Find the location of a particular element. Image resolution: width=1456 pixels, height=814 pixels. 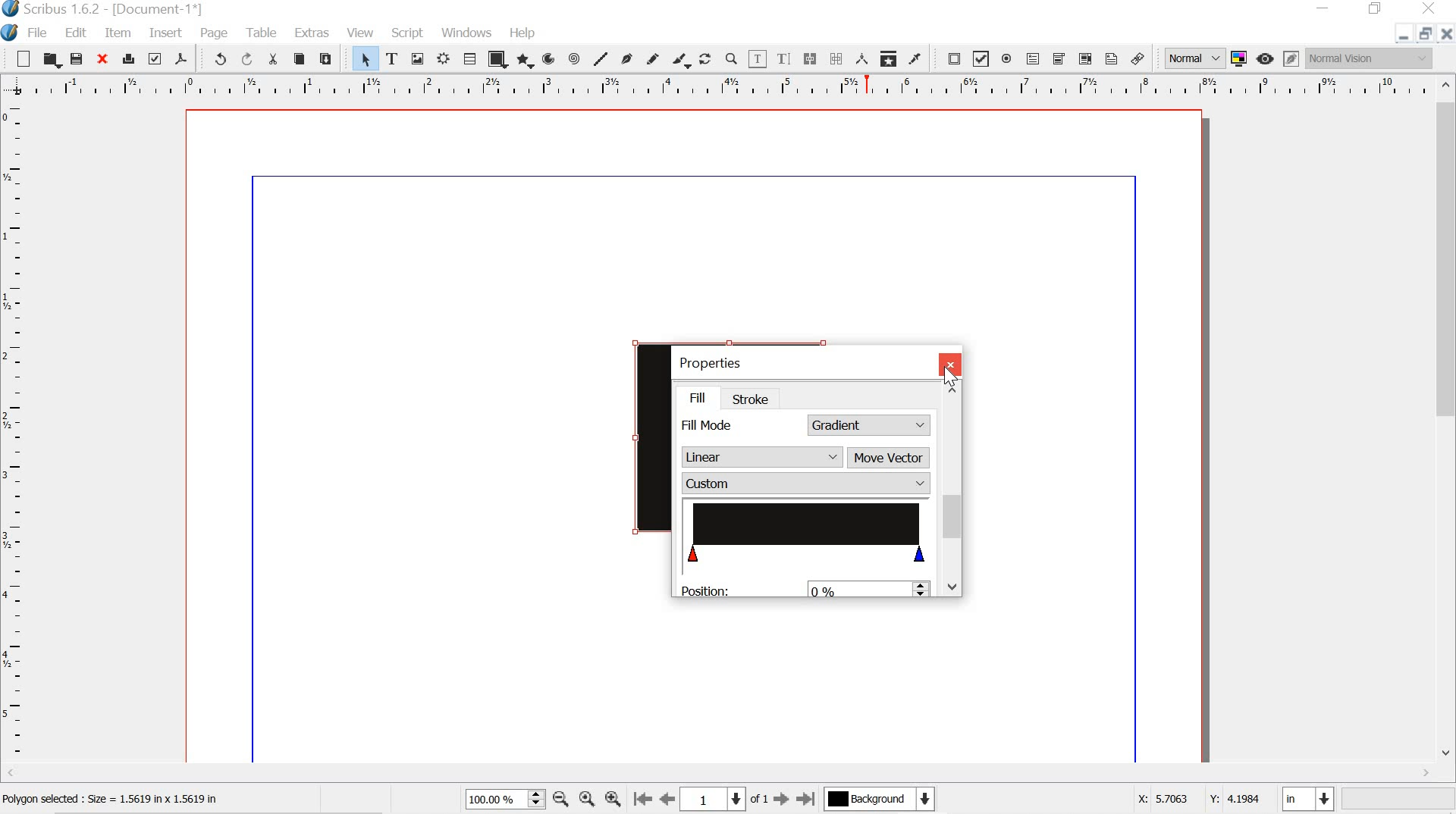

freehand line is located at coordinates (652, 58).